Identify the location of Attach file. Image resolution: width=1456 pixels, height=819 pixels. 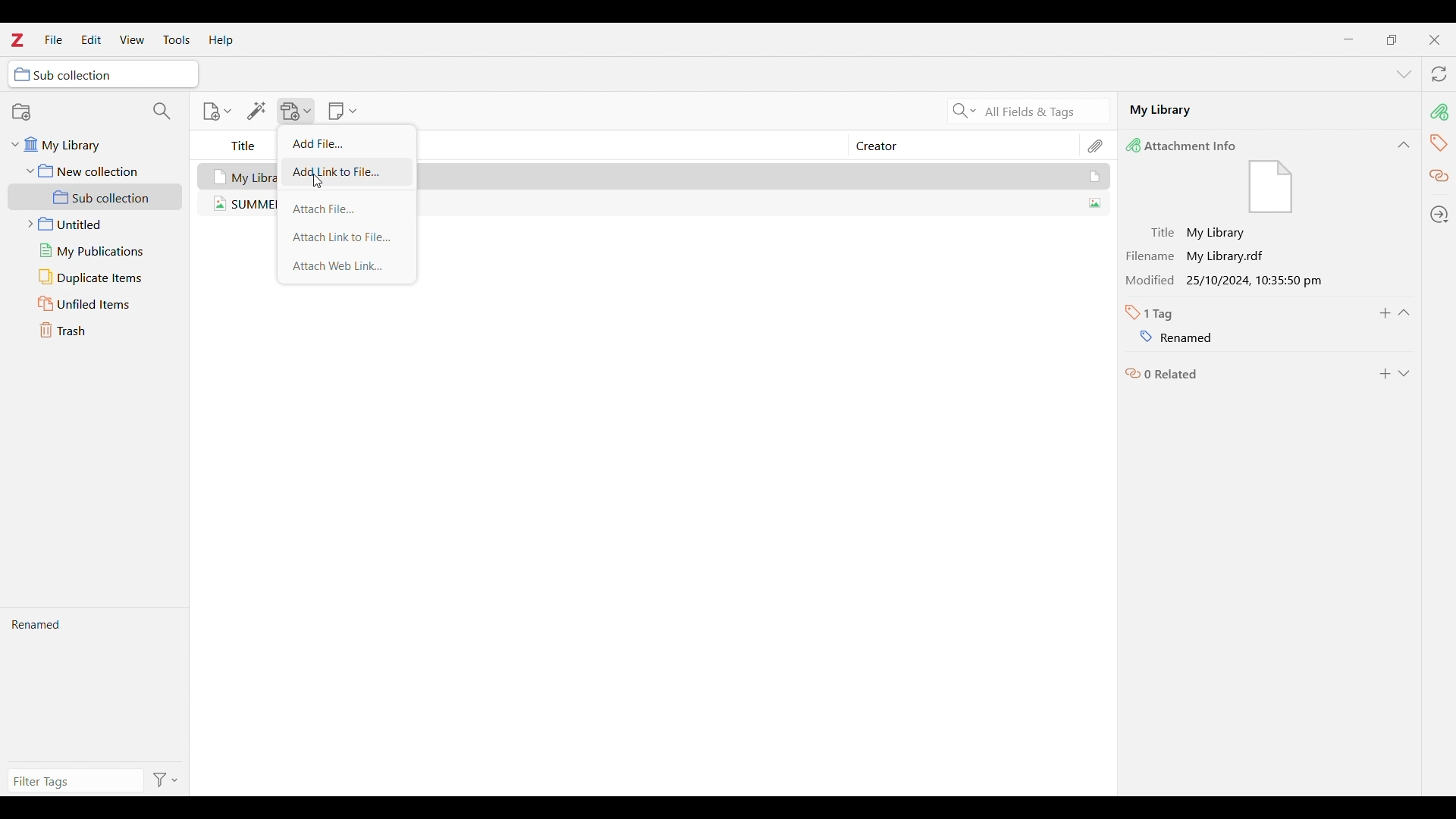
(346, 209).